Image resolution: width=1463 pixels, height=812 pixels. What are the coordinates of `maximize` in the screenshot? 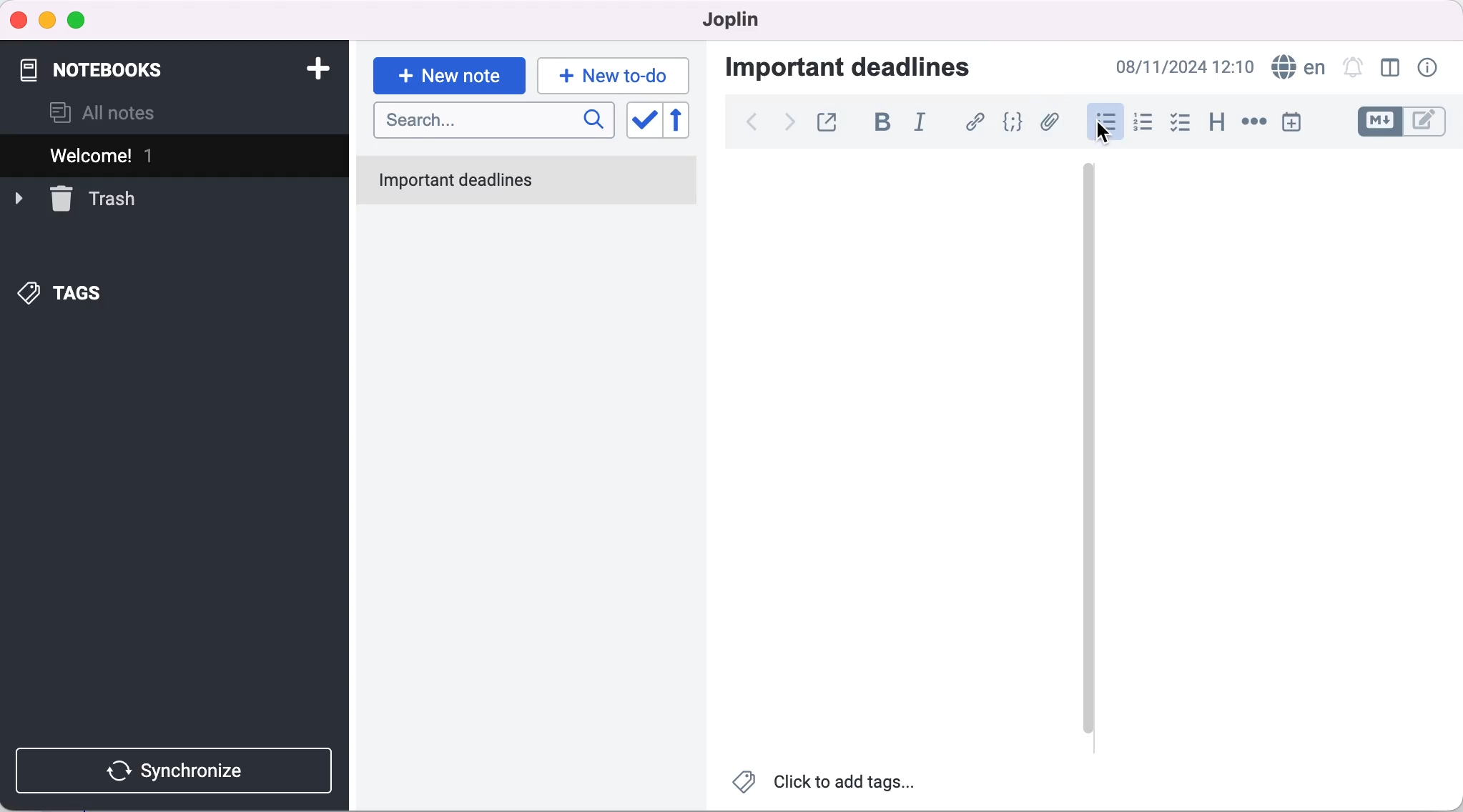 It's located at (81, 19).